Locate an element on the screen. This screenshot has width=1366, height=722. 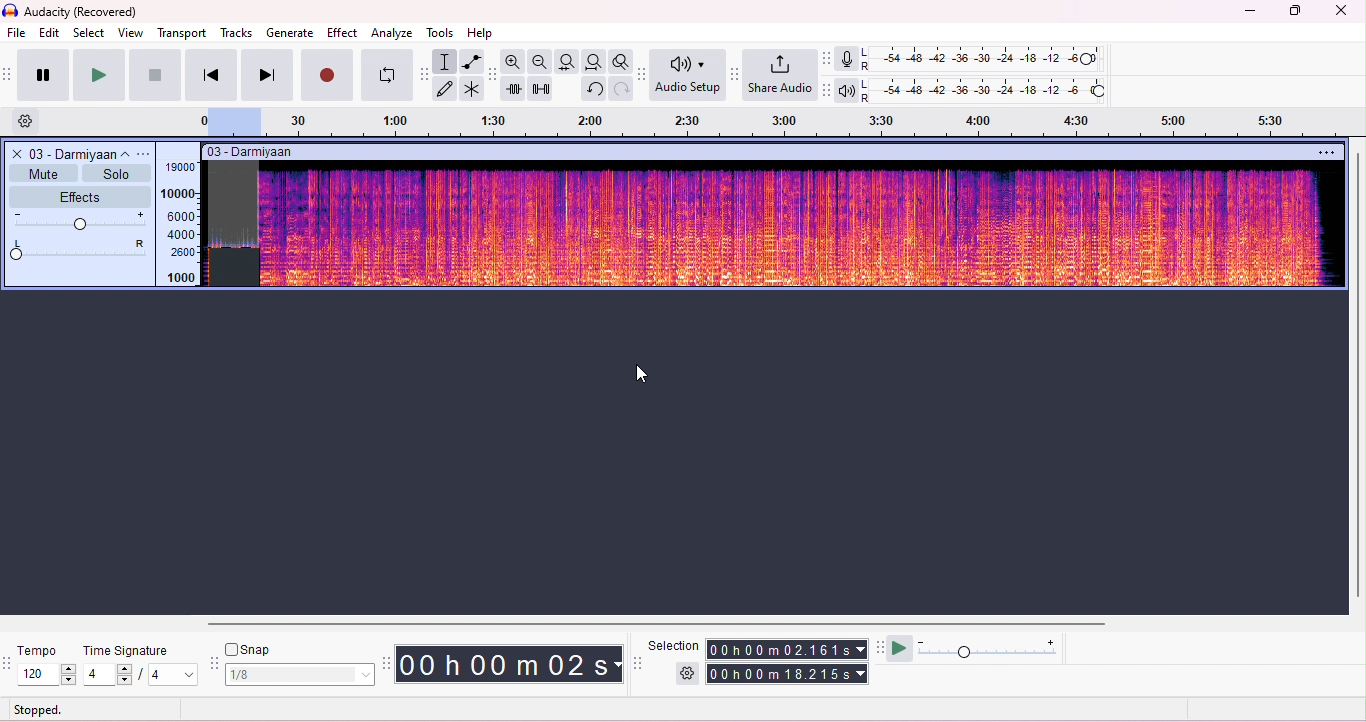
zoom out is located at coordinates (539, 60).